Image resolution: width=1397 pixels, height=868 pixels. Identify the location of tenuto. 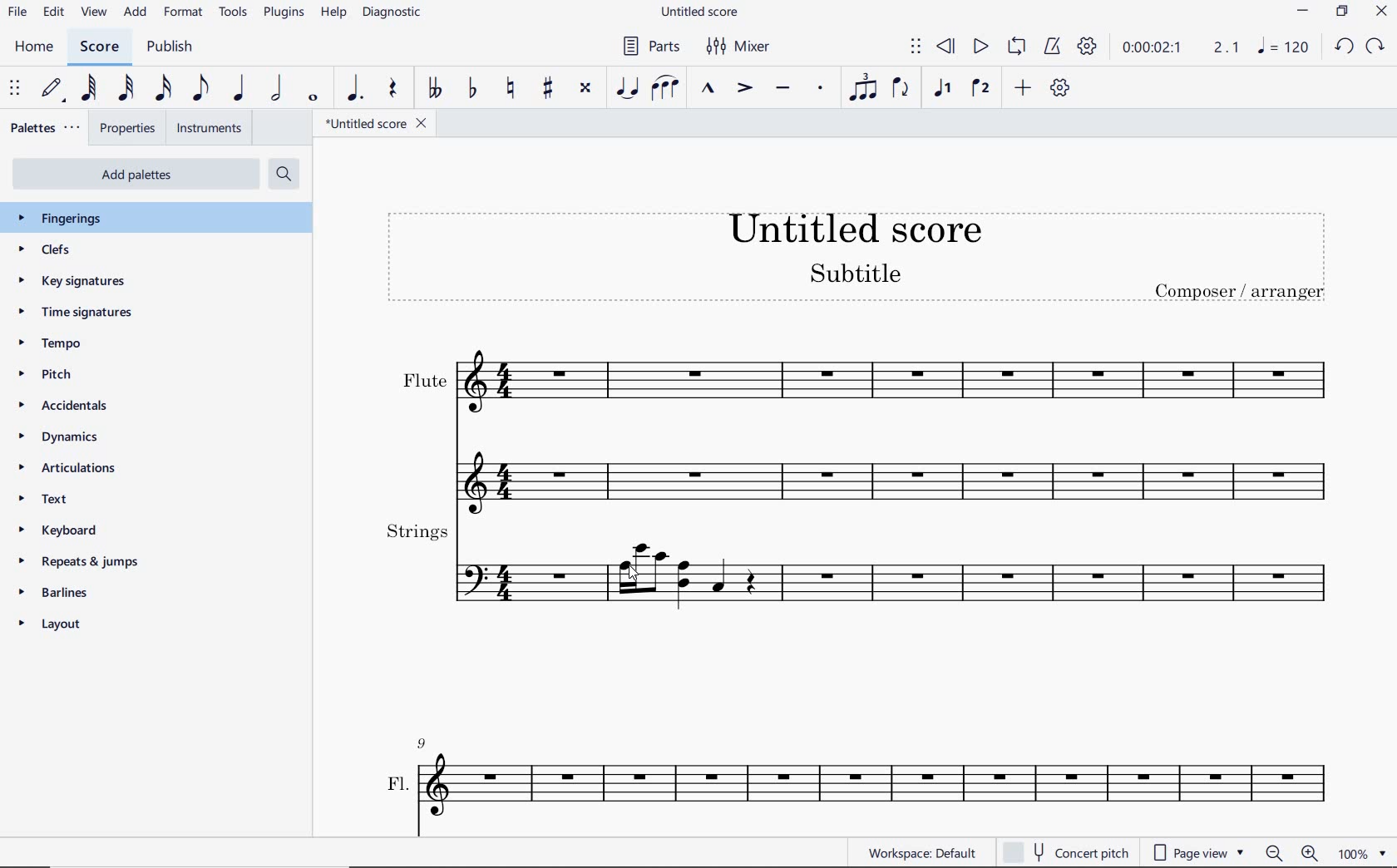
(782, 90).